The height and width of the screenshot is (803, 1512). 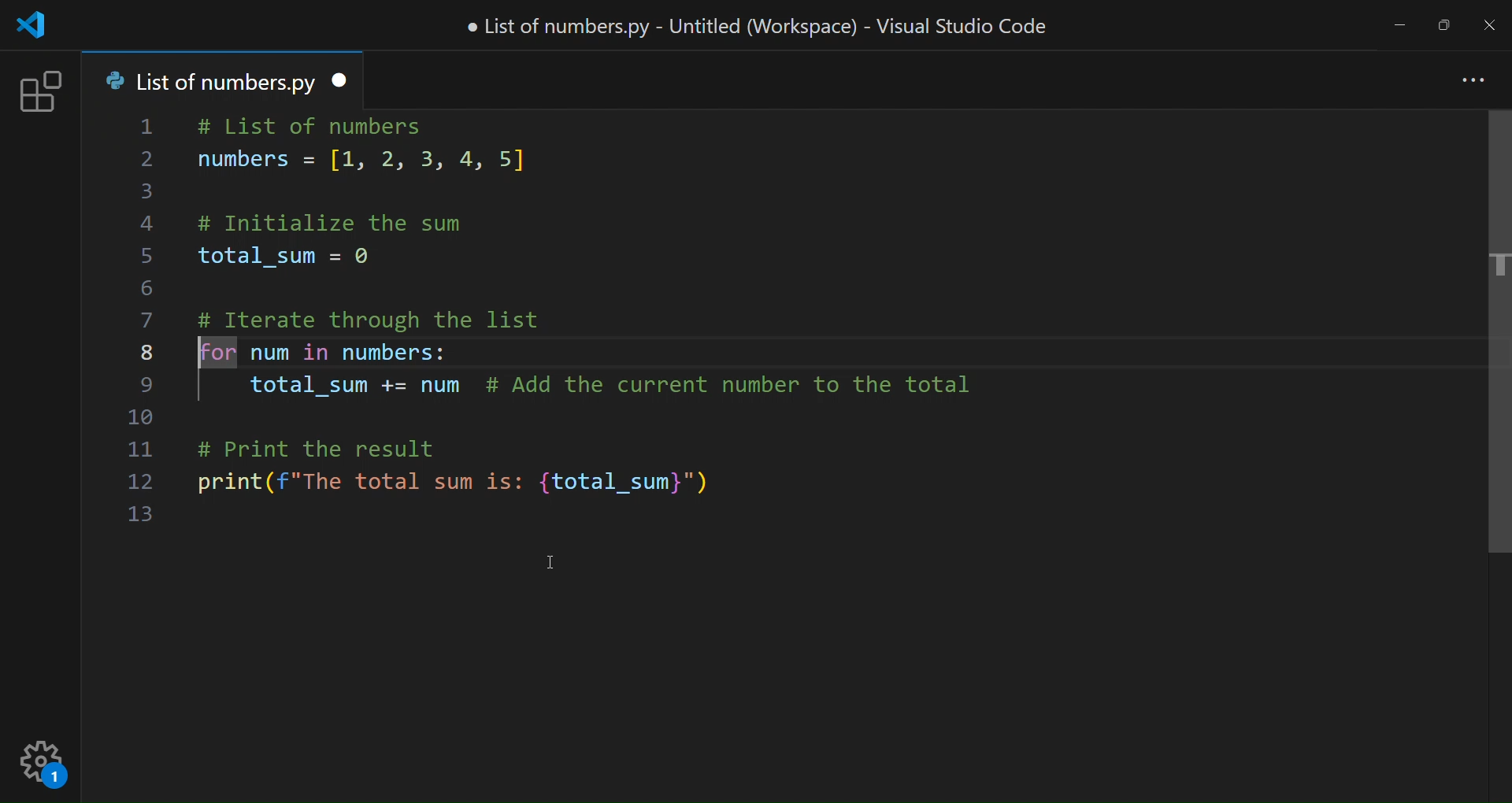 What do you see at coordinates (37, 28) in the screenshot?
I see `logo` at bounding box center [37, 28].